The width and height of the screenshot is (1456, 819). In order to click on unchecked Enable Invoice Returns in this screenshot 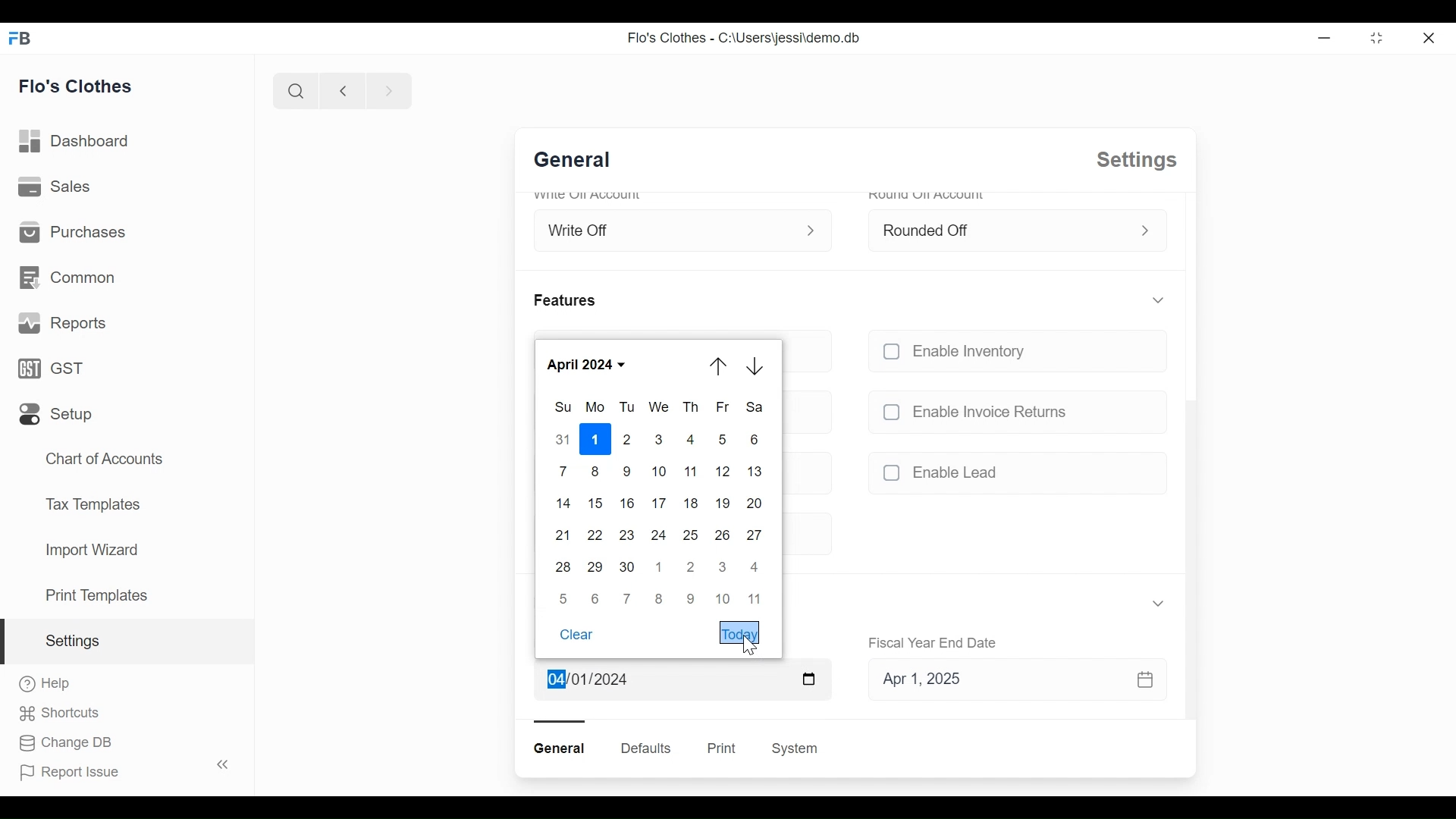, I will do `click(1012, 411)`.